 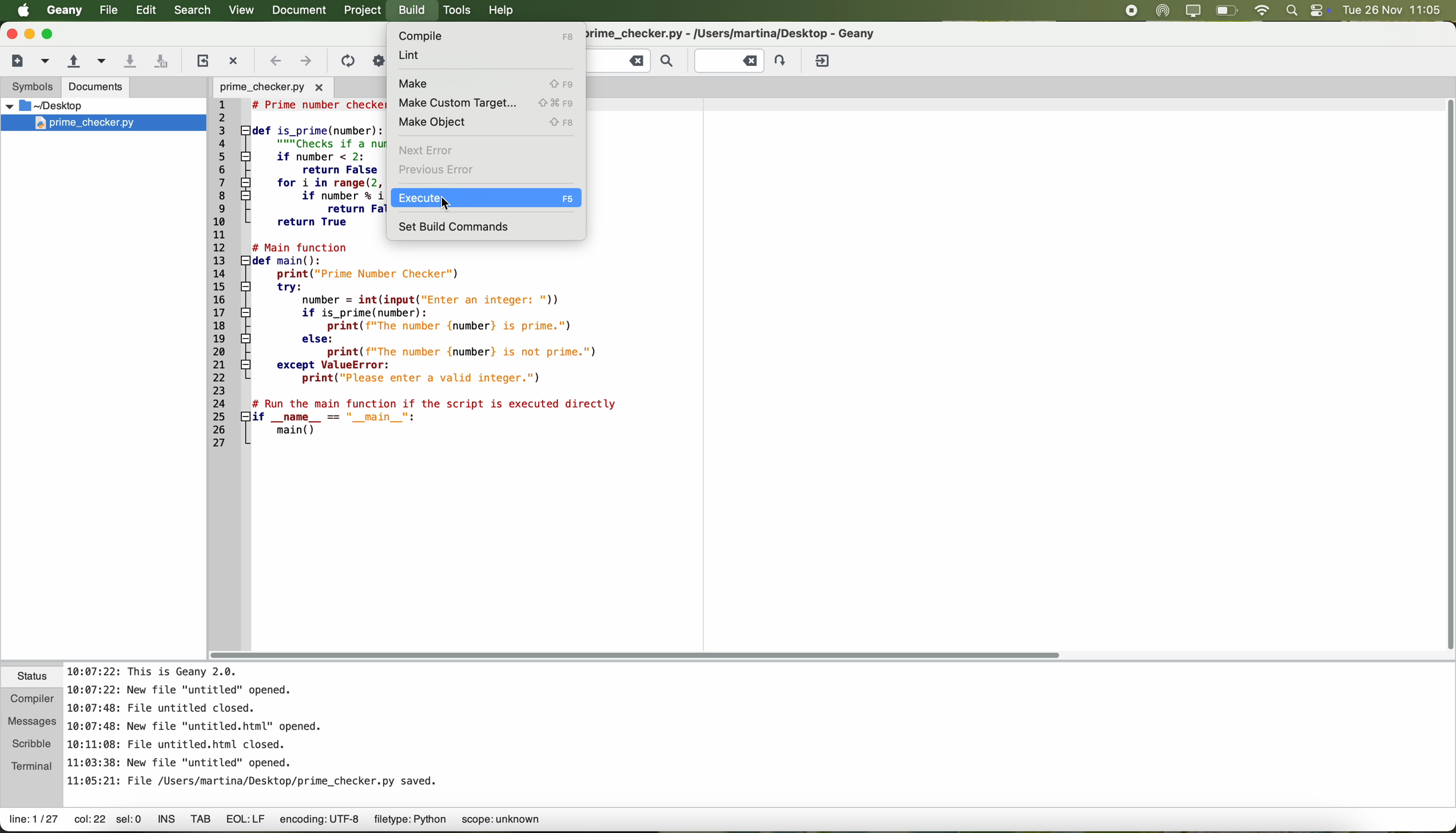 What do you see at coordinates (99, 61) in the screenshot?
I see `open a recent file` at bounding box center [99, 61].